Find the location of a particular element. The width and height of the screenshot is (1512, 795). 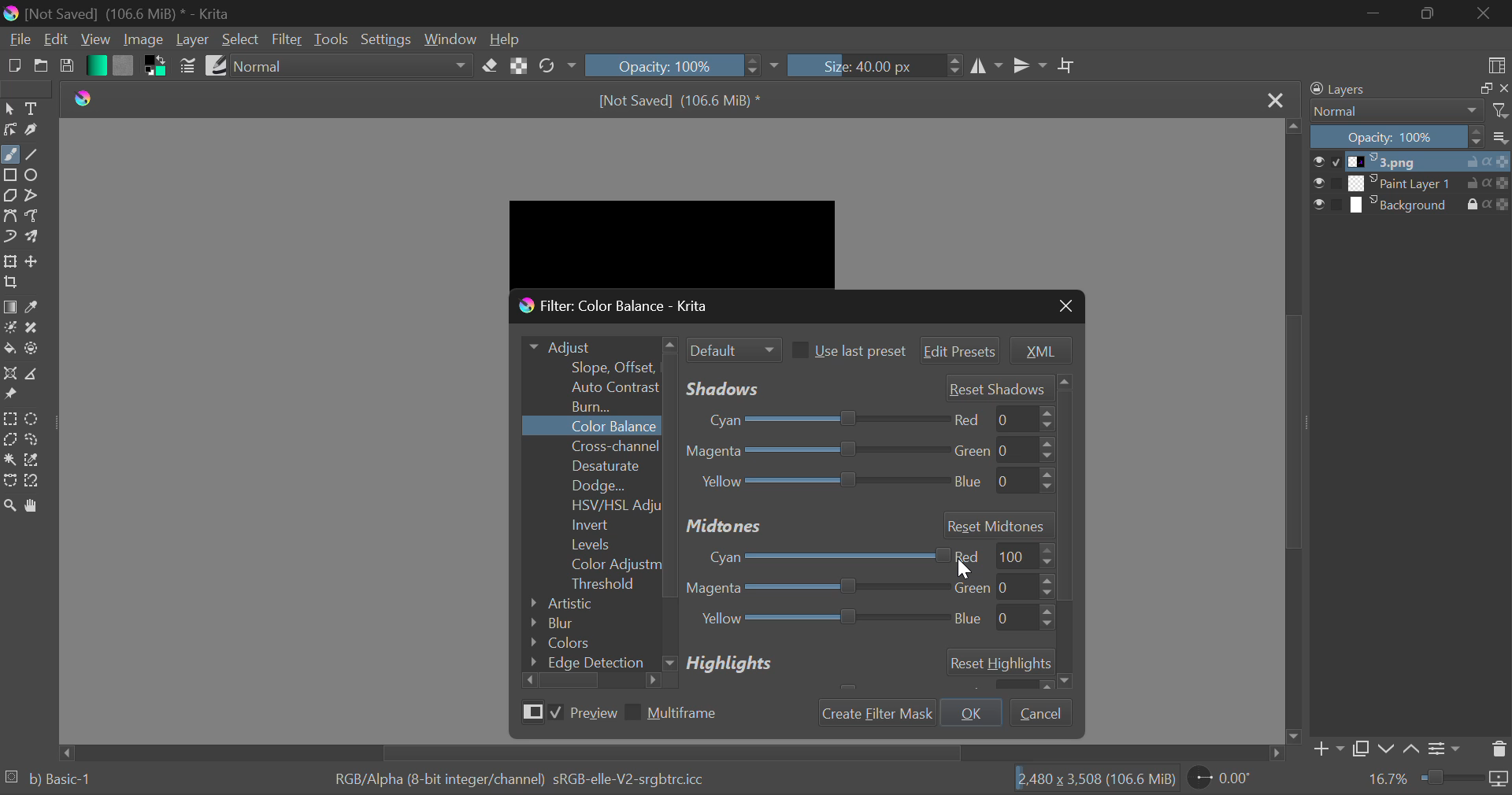

Select is located at coordinates (243, 39).